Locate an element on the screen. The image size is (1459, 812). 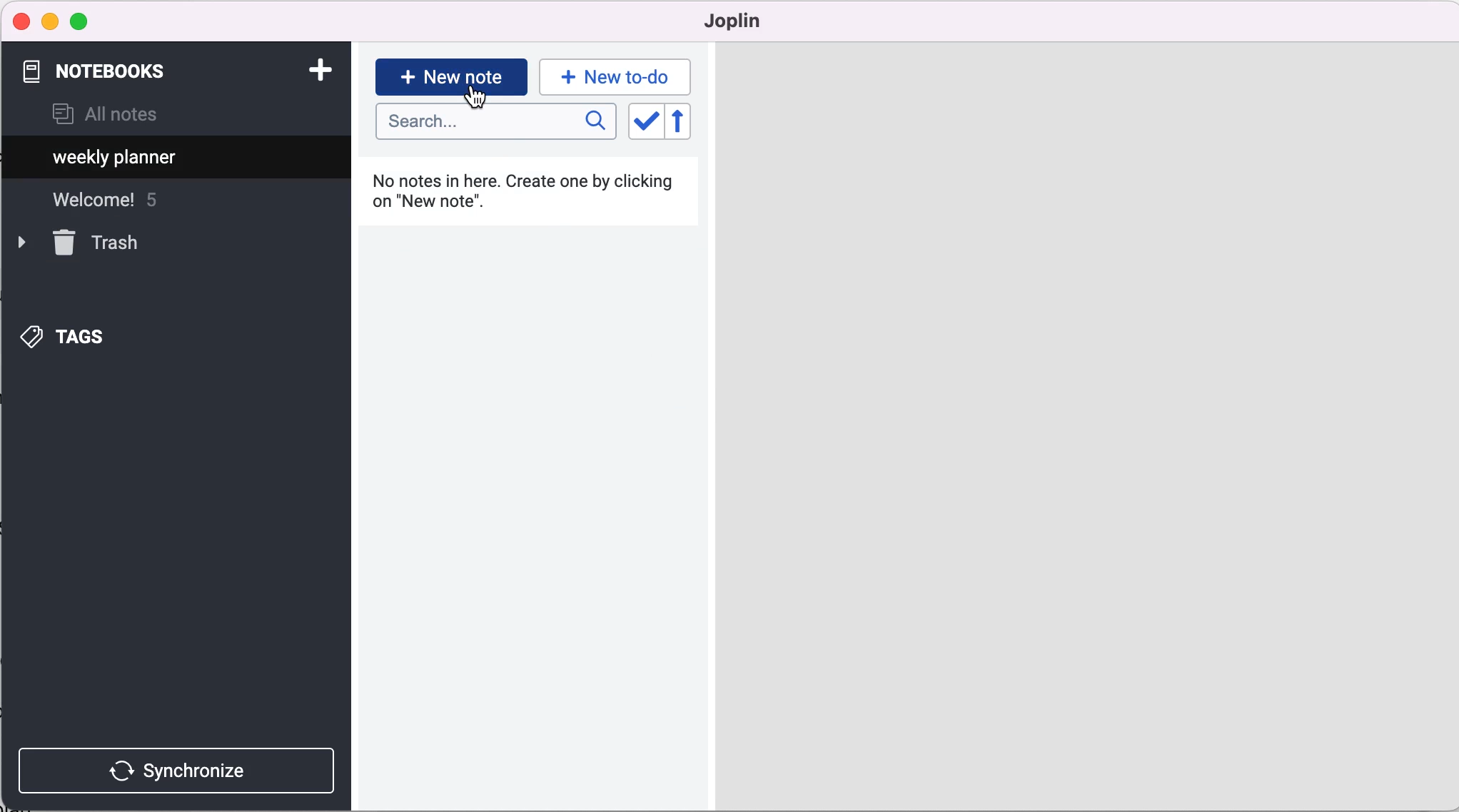
notebooks is located at coordinates (106, 71).